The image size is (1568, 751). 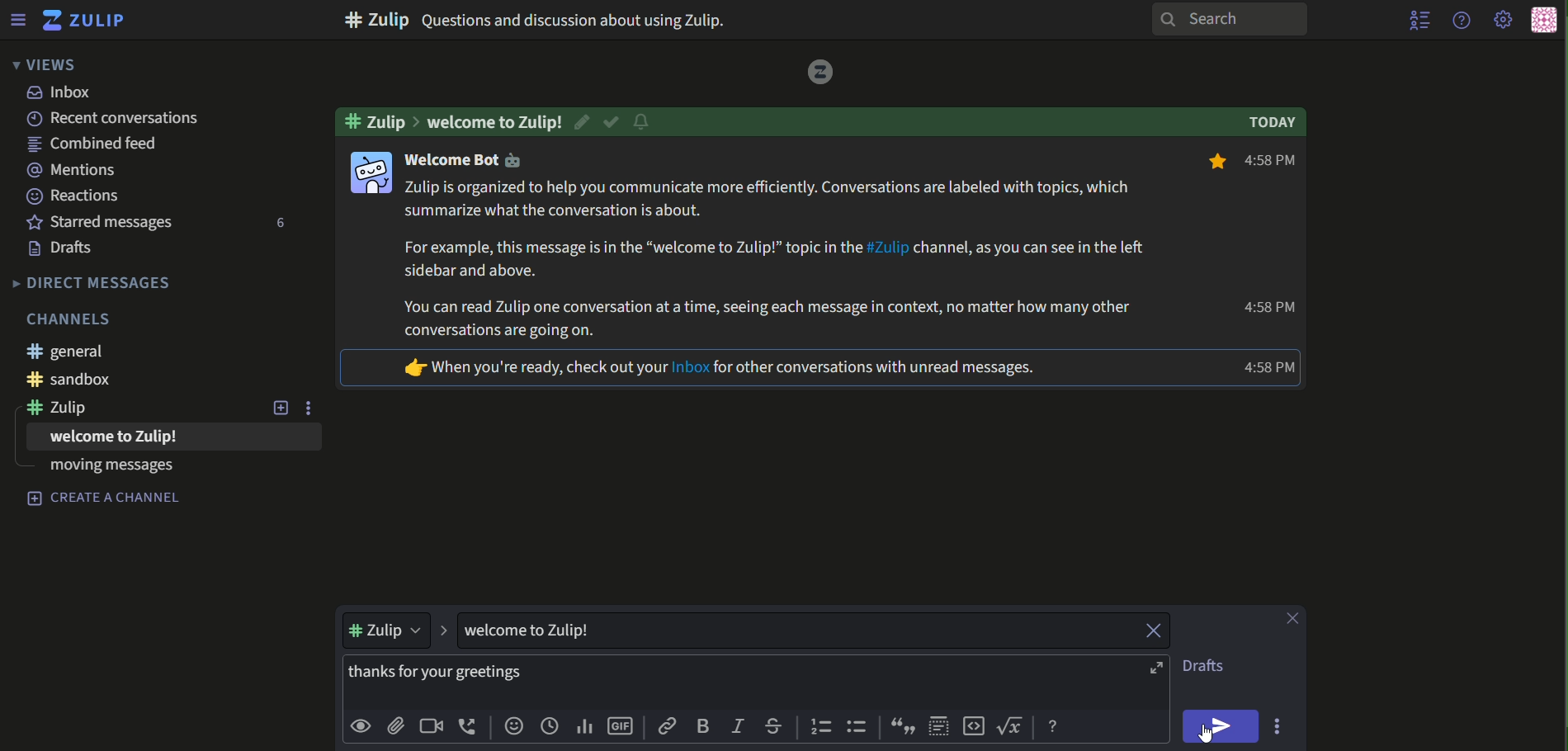 I want to click on Cursor, so click(x=1205, y=736).